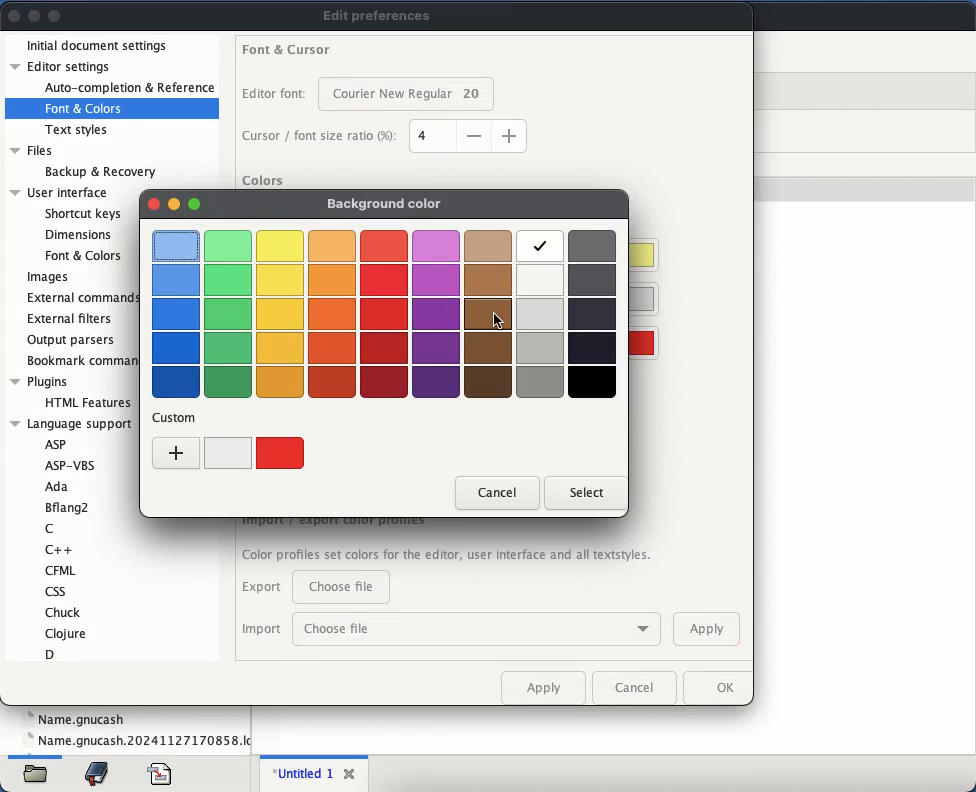  What do you see at coordinates (72, 422) in the screenshot?
I see `Language support` at bounding box center [72, 422].